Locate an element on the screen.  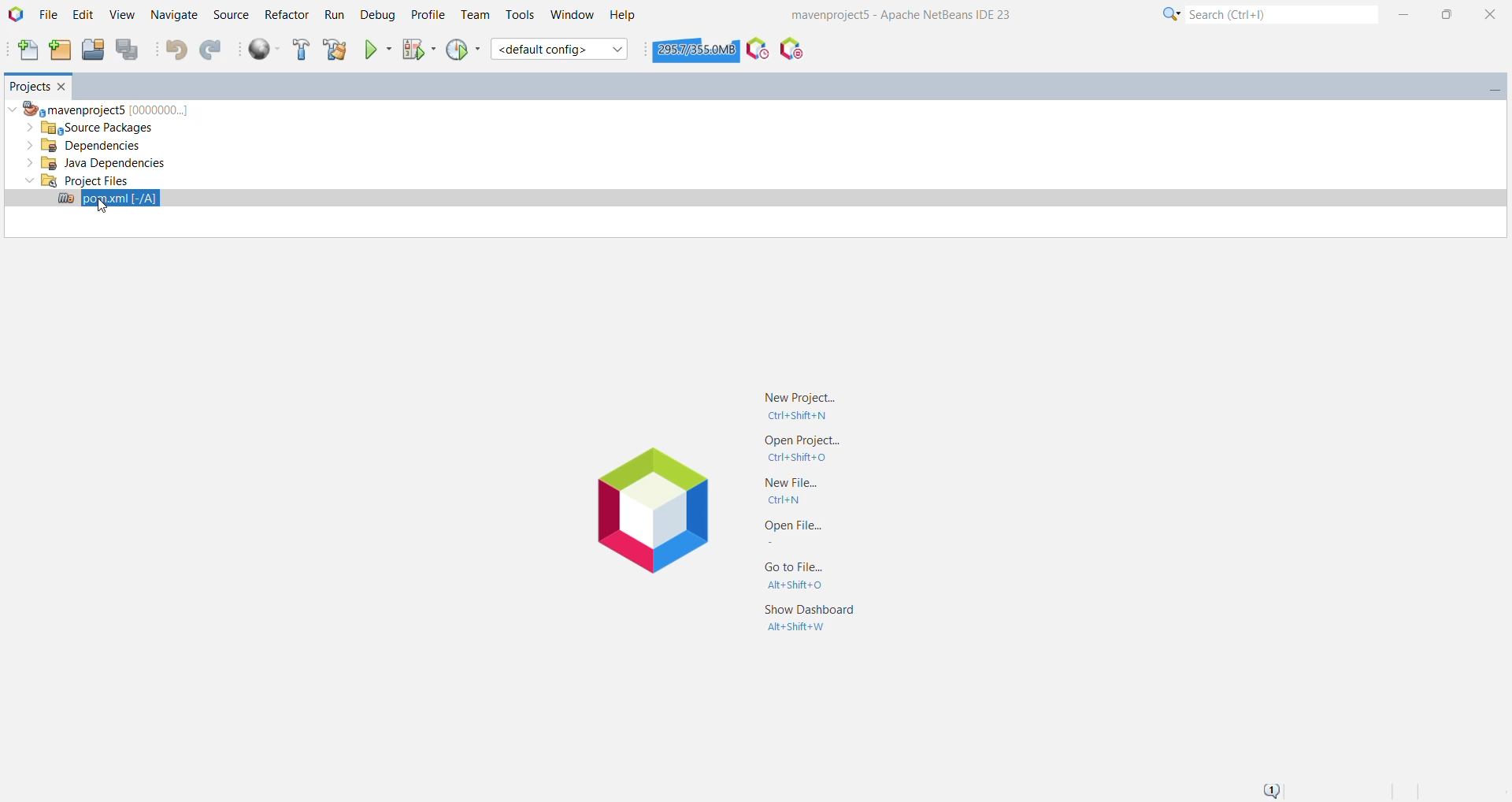
Notifications is located at coordinates (1269, 789).